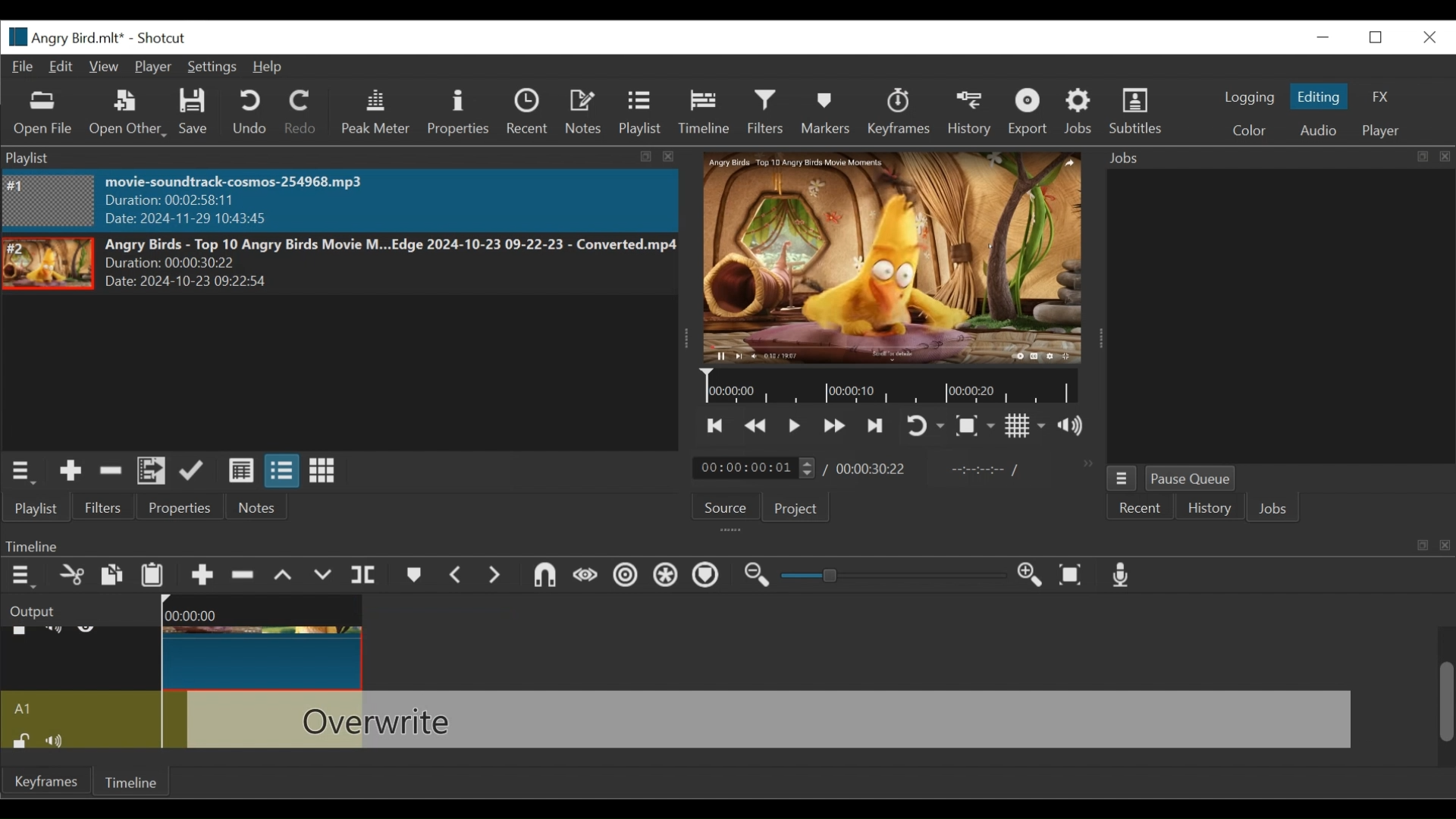  What do you see at coordinates (22, 577) in the screenshot?
I see `Timeline menu` at bounding box center [22, 577].